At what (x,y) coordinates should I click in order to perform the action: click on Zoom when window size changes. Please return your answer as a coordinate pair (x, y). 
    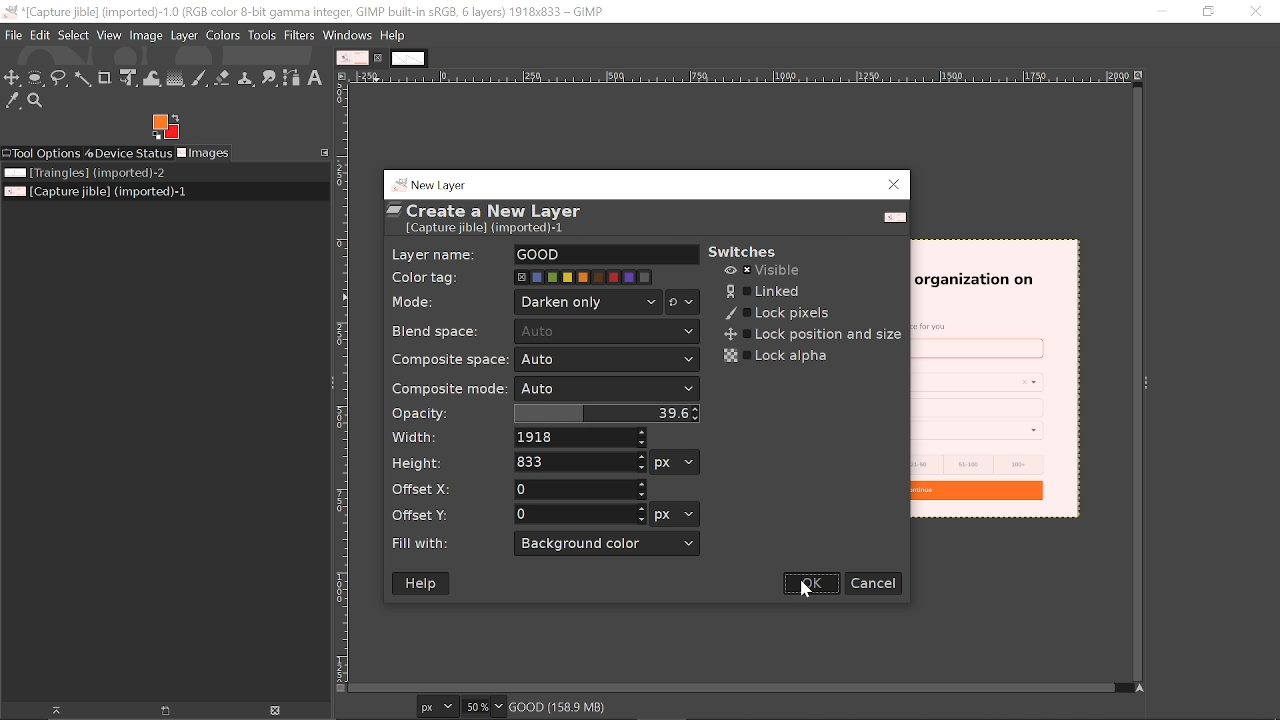
    Looking at the image, I should click on (1142, 77).